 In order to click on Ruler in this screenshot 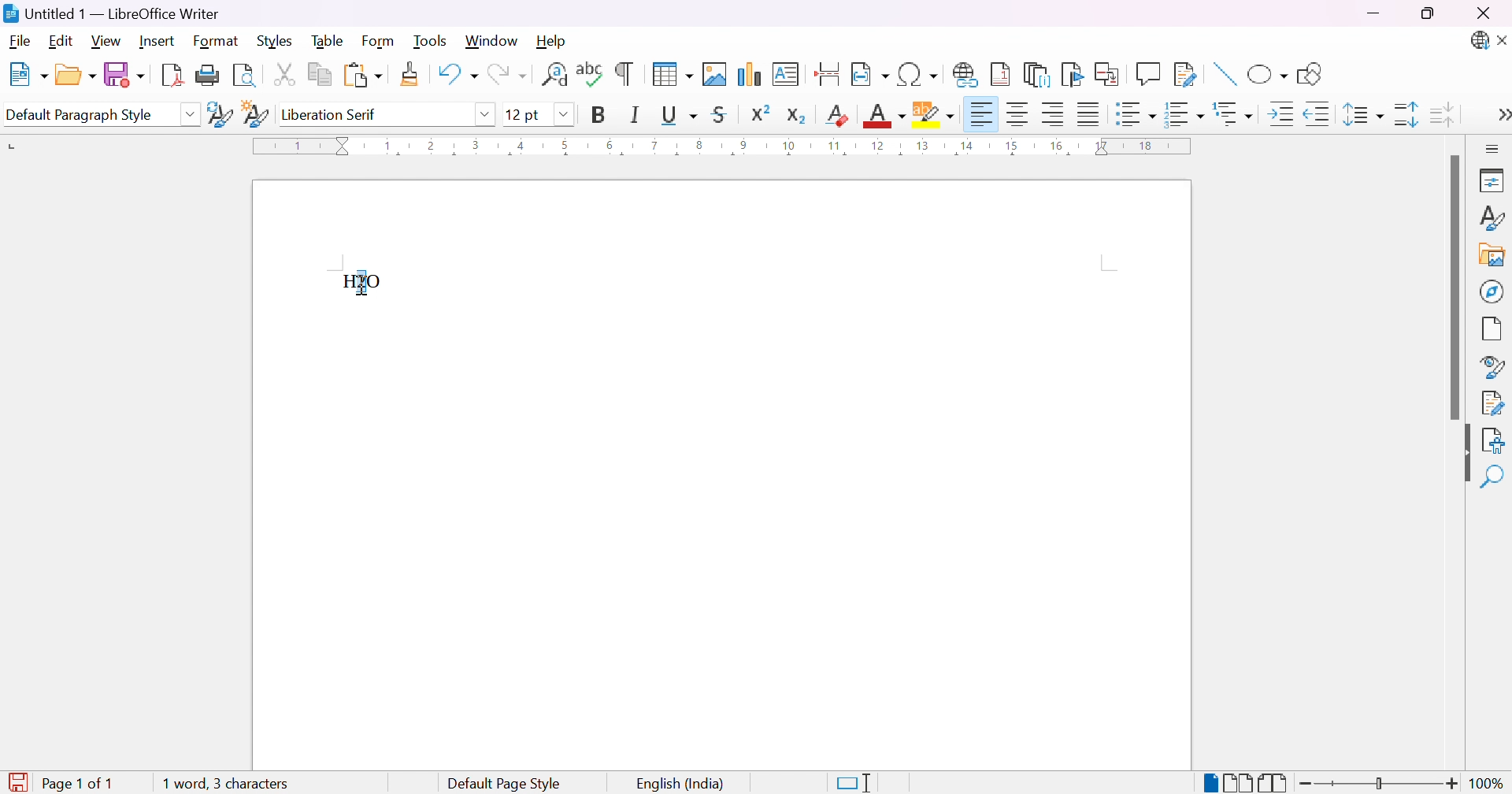, I will do `click(728, 147)`.